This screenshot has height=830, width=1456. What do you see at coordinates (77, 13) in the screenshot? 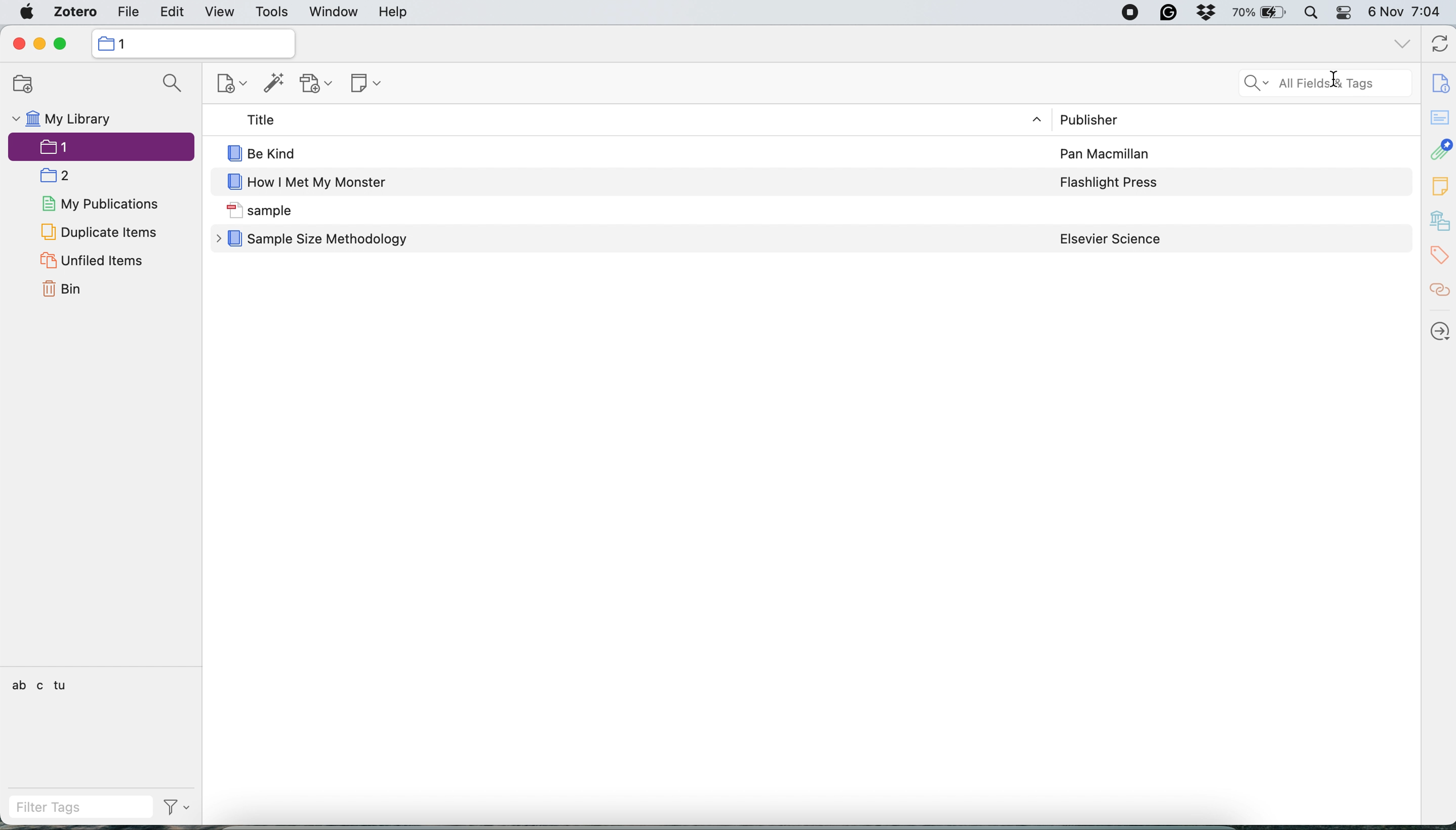
I see `zotero` at bounding box center [77, 13].